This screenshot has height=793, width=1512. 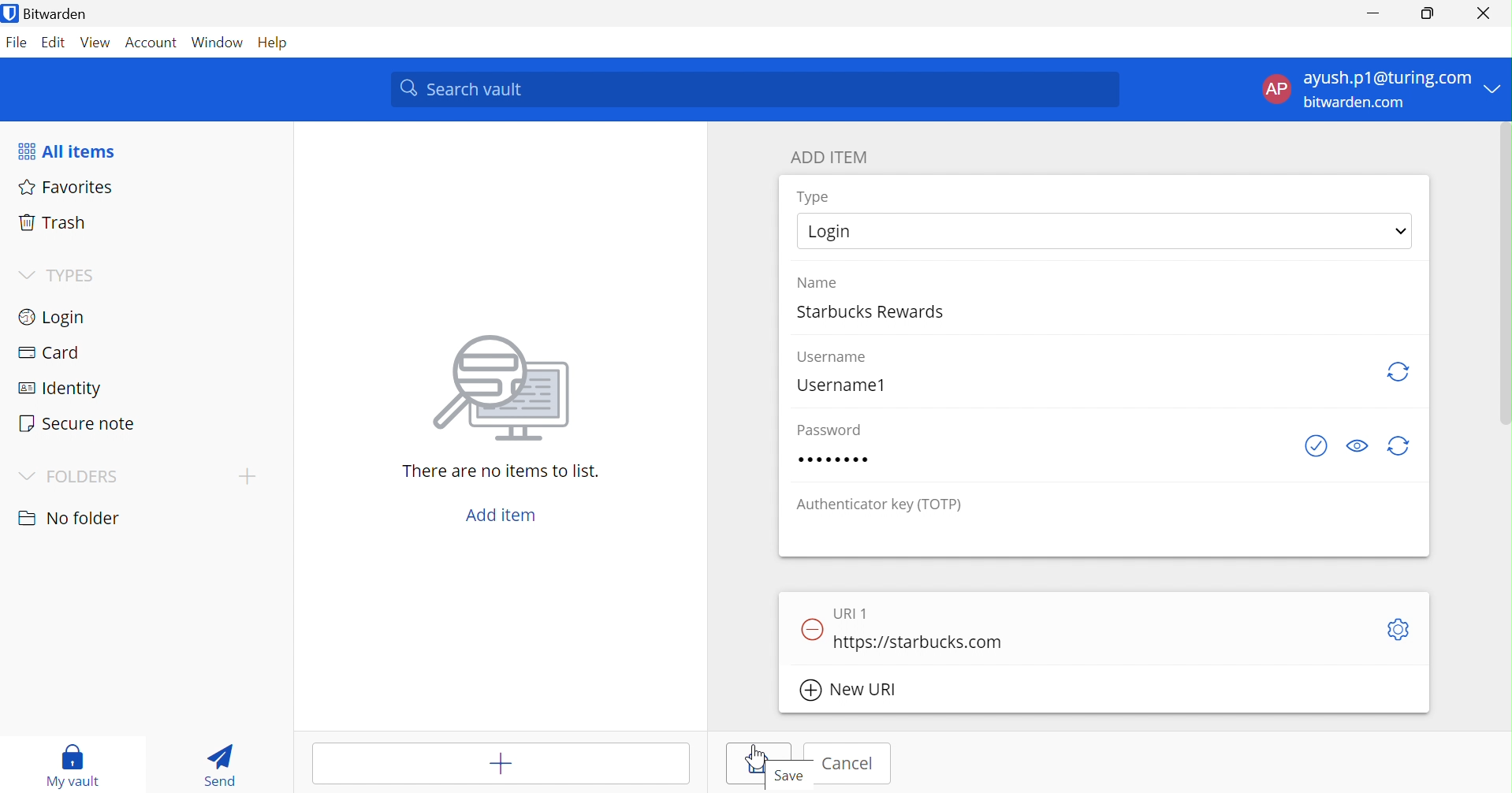 What do you see at coordinates (1387, 77) in the screenshot?
I see `ayush.p1@turing.com` at bounding box center [1387, 77].